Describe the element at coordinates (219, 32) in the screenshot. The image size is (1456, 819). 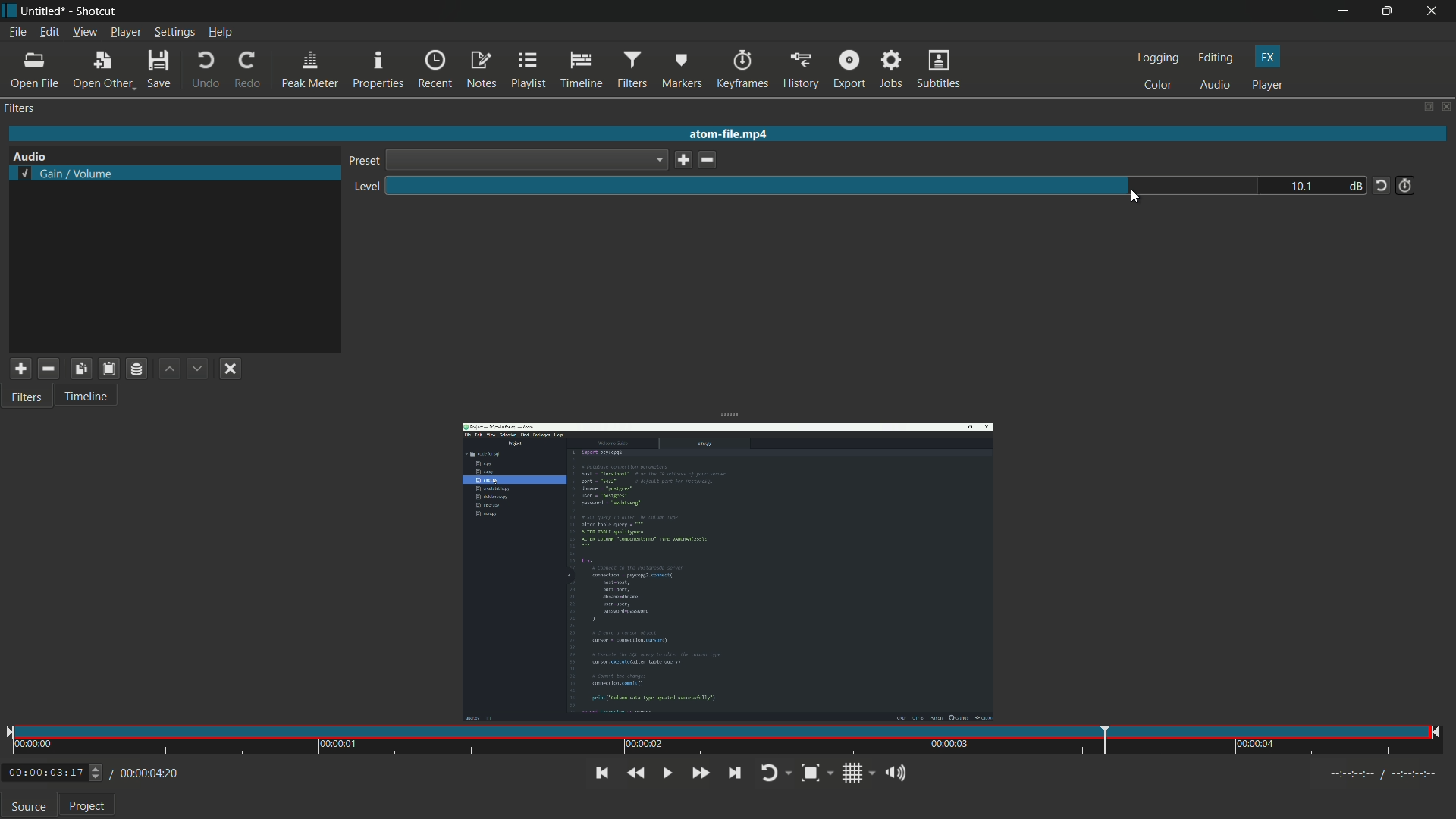
I see `help menu` at that location.